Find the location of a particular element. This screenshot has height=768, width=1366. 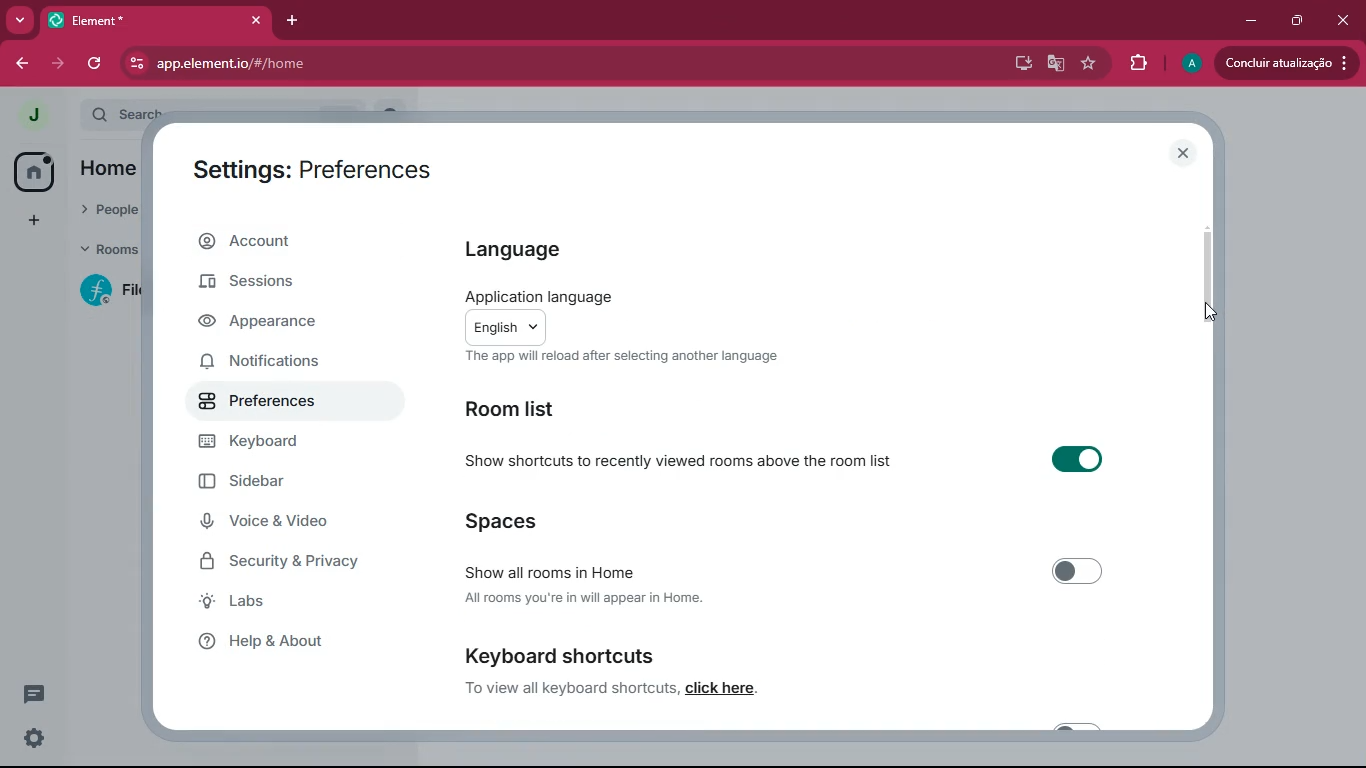

home is located at coordinates (108, 170).